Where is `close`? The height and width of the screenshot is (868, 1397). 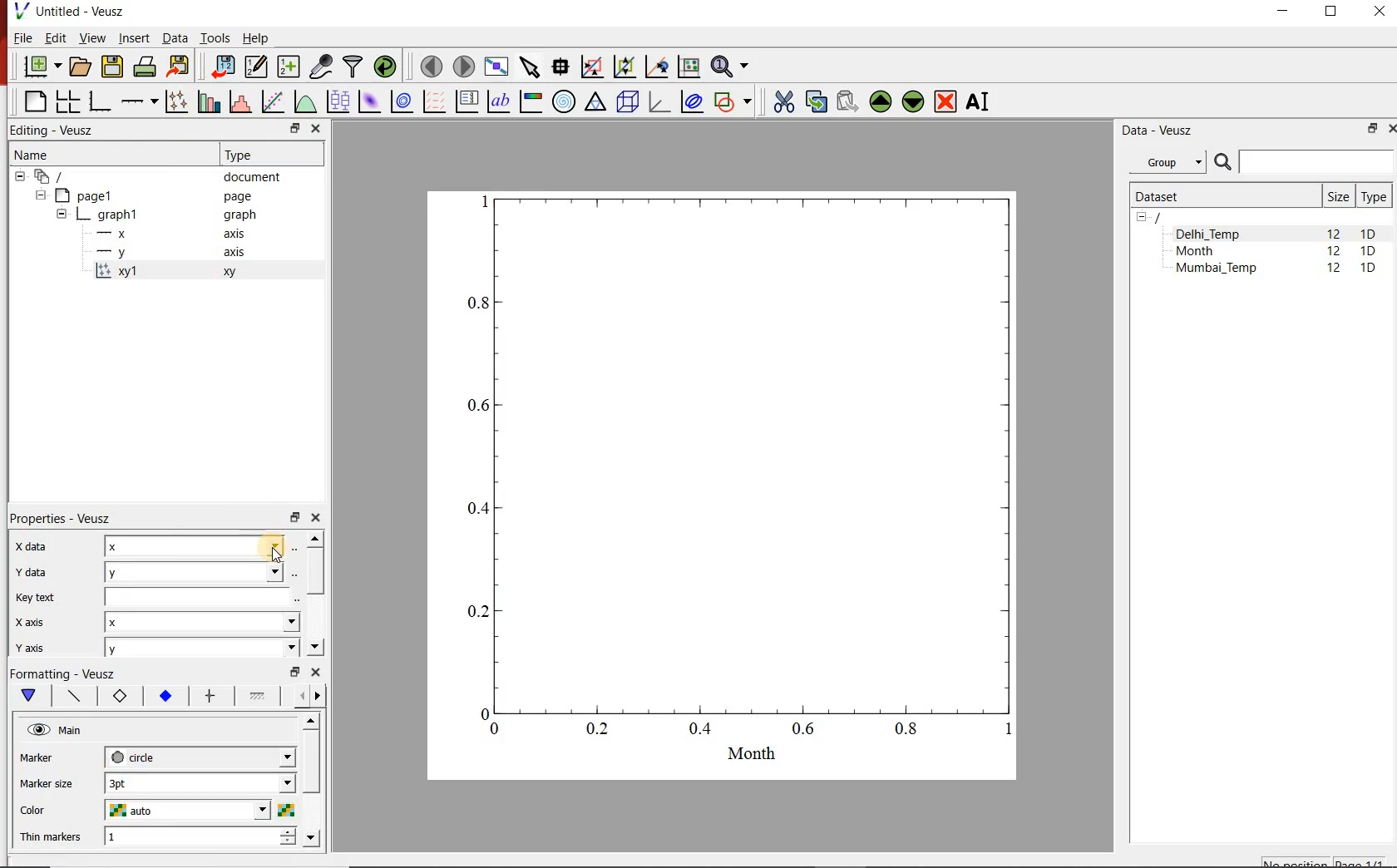 close is located at coordinates (315, 672).